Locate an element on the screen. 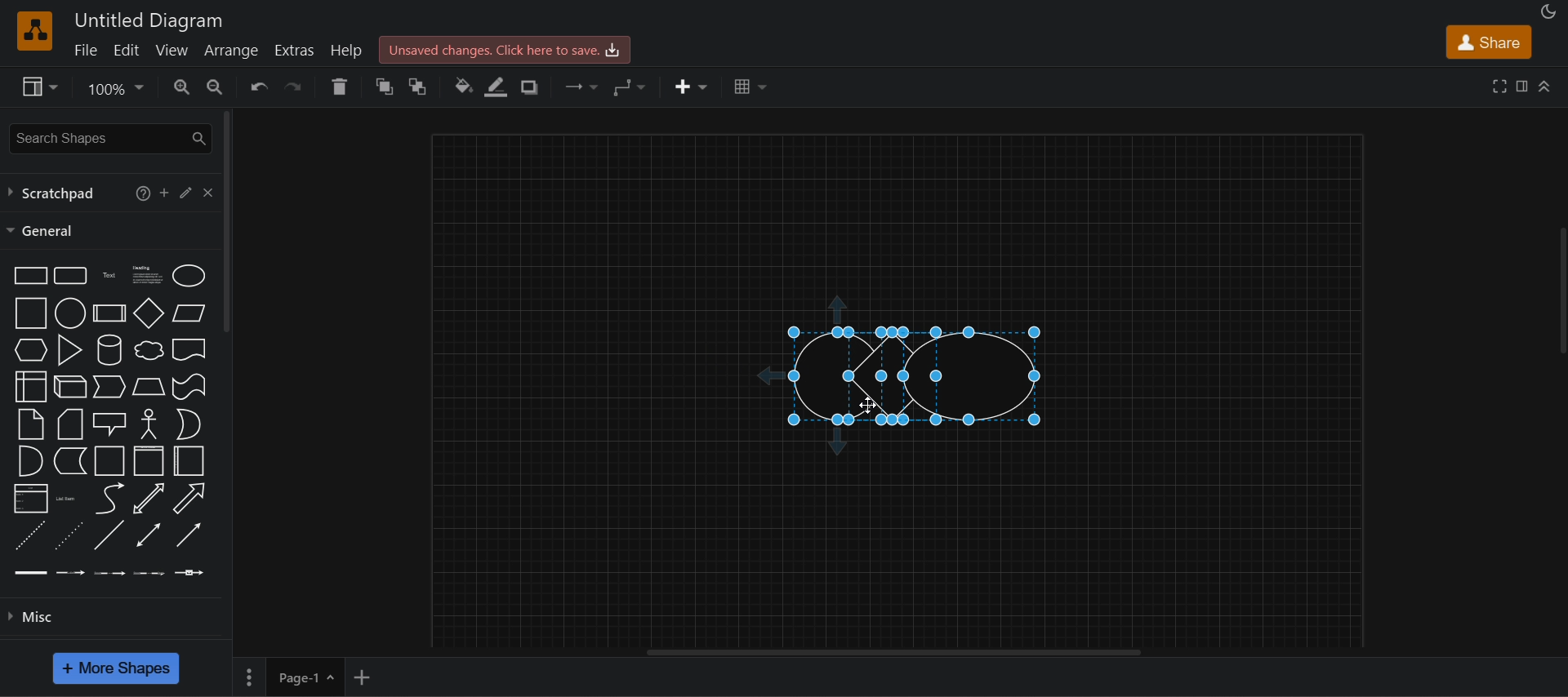  add new page is located at coordinates (363, 675).